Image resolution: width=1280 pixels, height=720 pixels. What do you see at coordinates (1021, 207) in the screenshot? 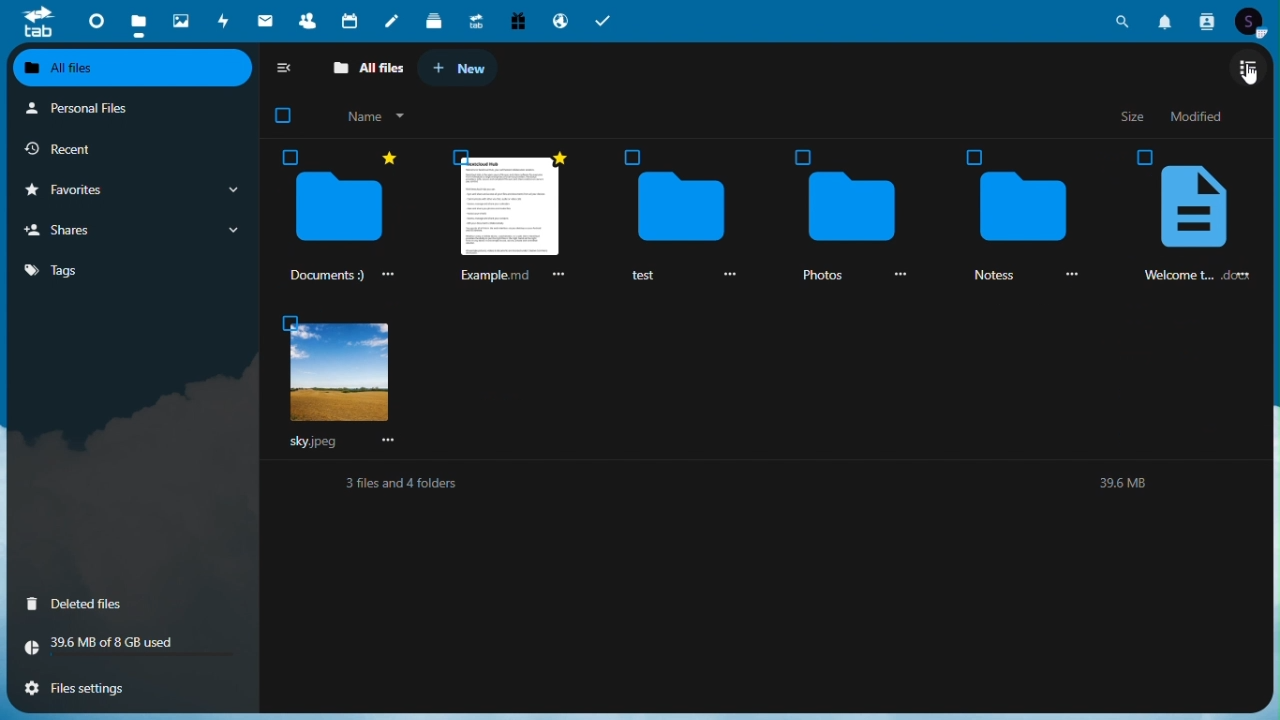
I see `notes folder` at bounding box center [1021, 207].